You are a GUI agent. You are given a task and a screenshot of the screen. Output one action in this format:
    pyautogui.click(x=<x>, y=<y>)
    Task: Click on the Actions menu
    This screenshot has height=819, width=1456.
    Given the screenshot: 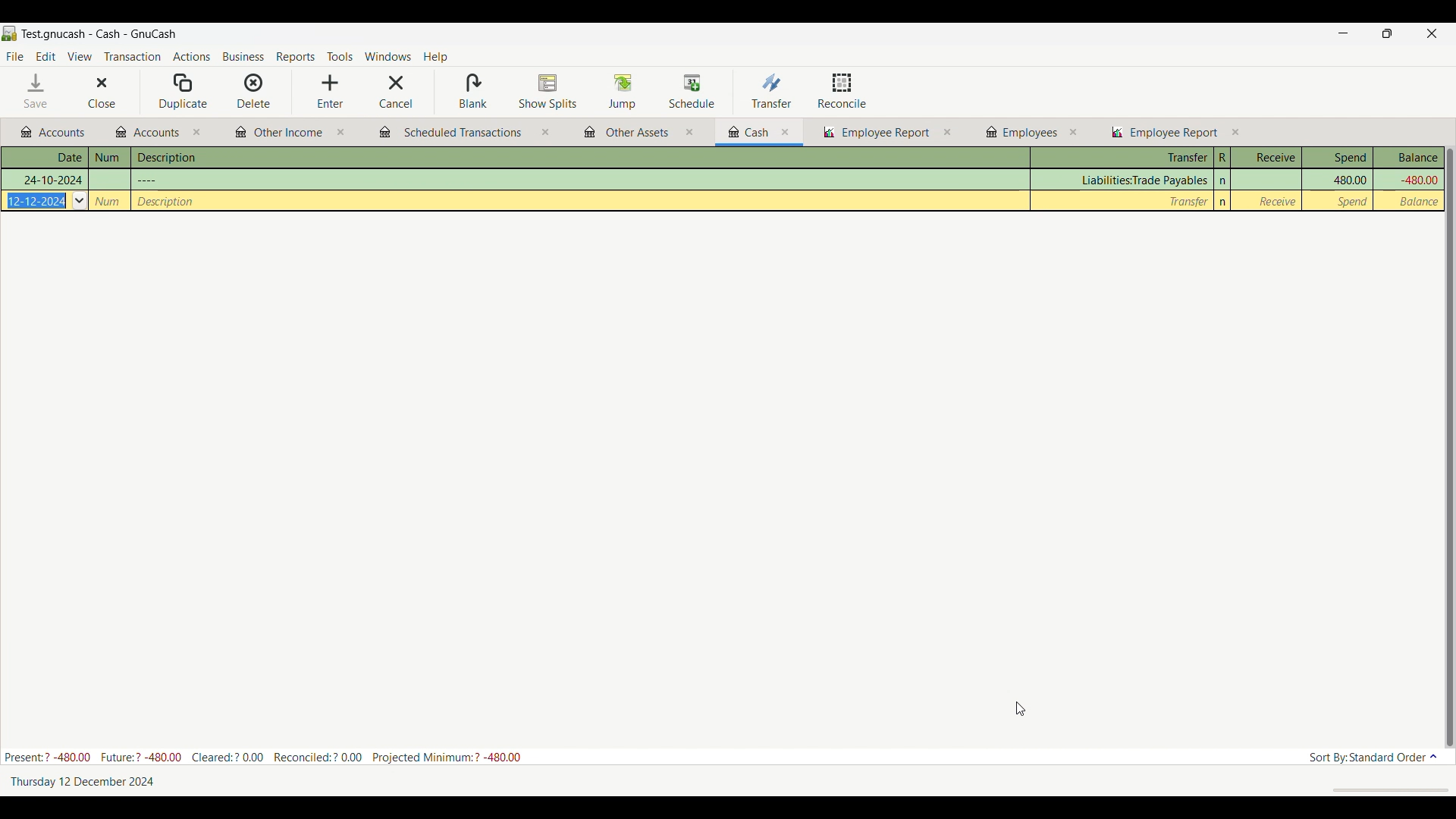 What is the action you would take?
    pyautogui.click(x=192, y=56)
    